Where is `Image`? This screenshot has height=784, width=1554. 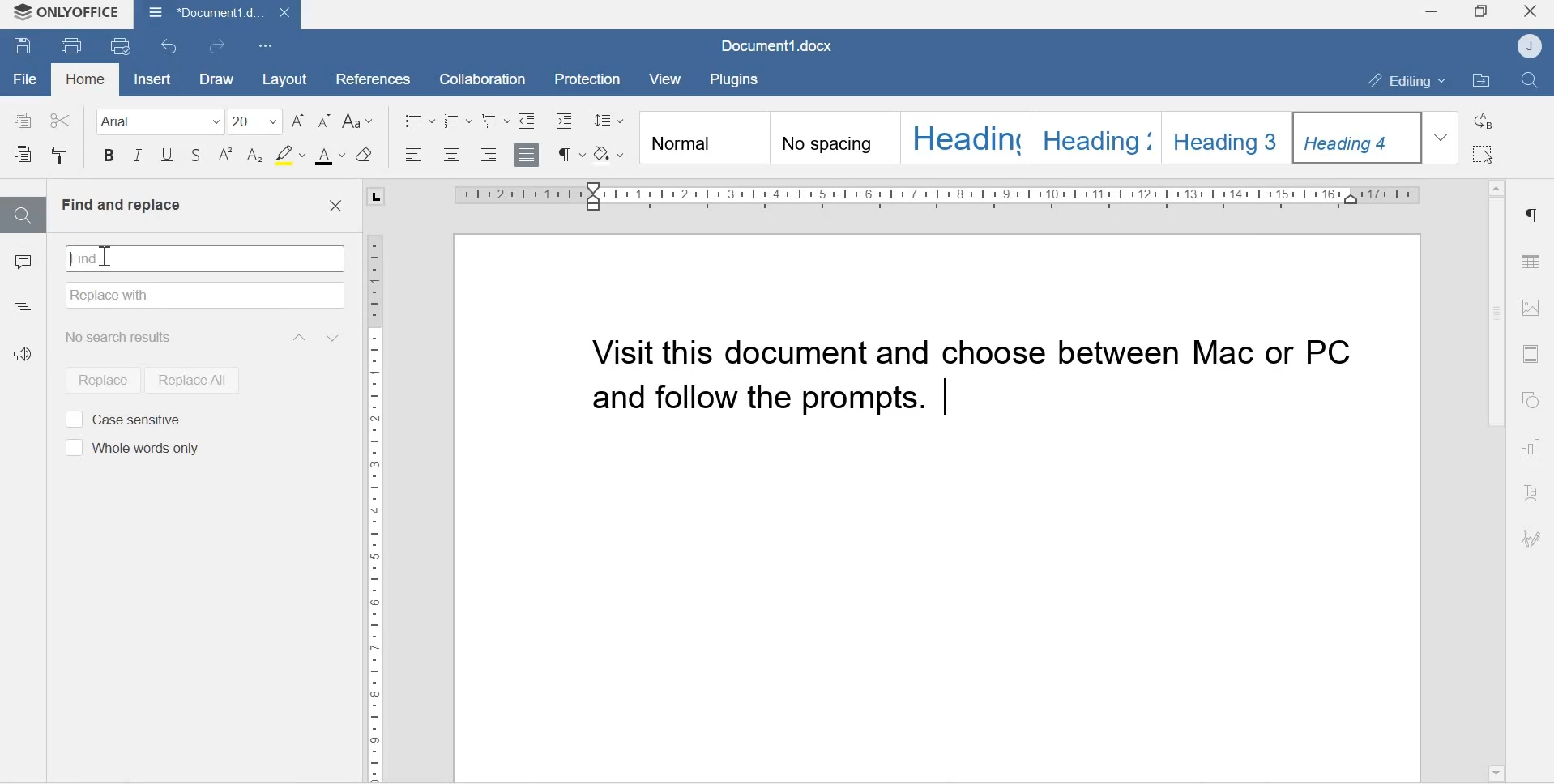
Image is located at coordinates (1531, 307).